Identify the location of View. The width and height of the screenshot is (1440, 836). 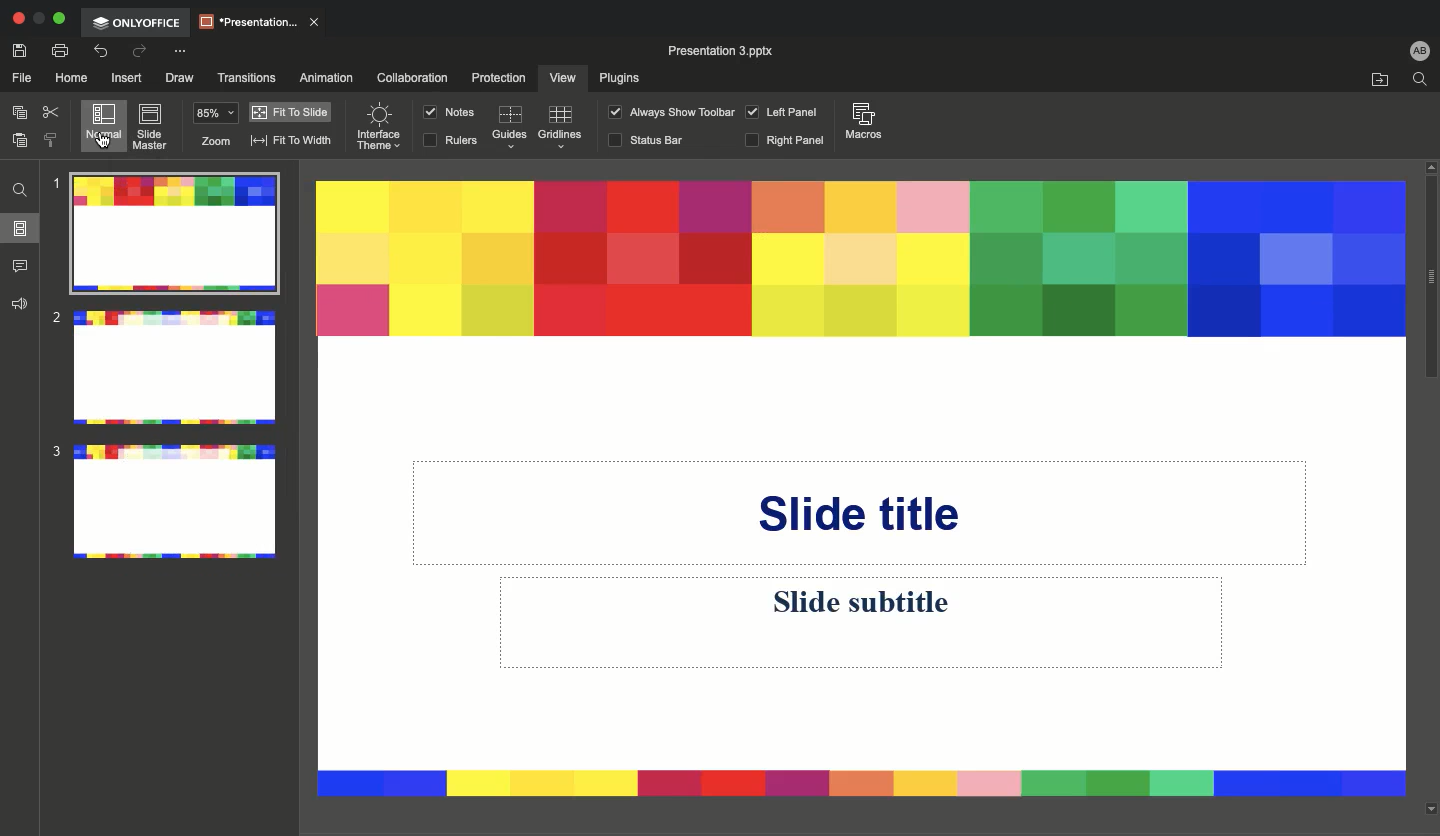
(565, 76).